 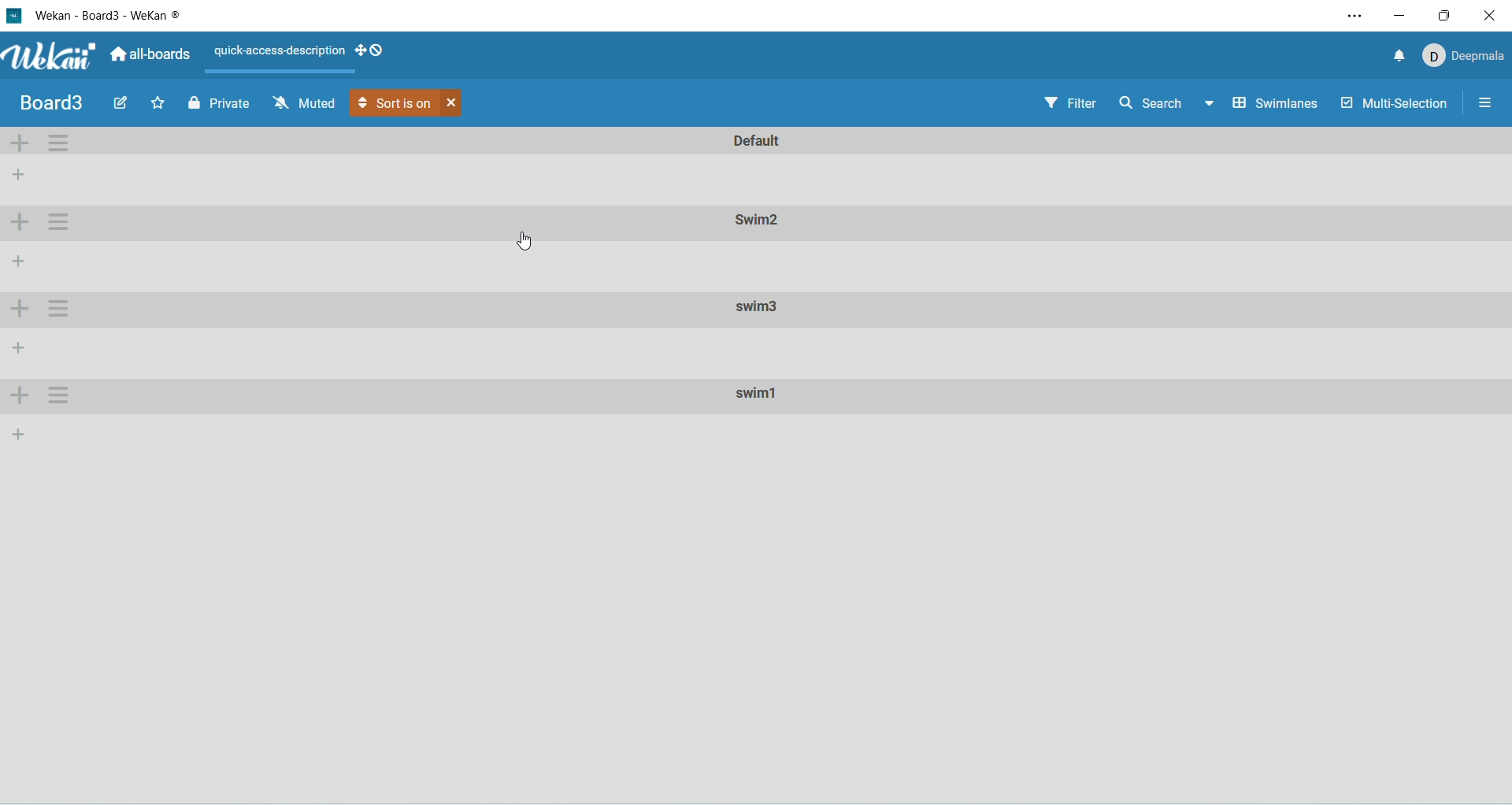 What do you see at coordinates (56, 103) in the screenshot?
I see `board title` at bounding box center [56, 103].